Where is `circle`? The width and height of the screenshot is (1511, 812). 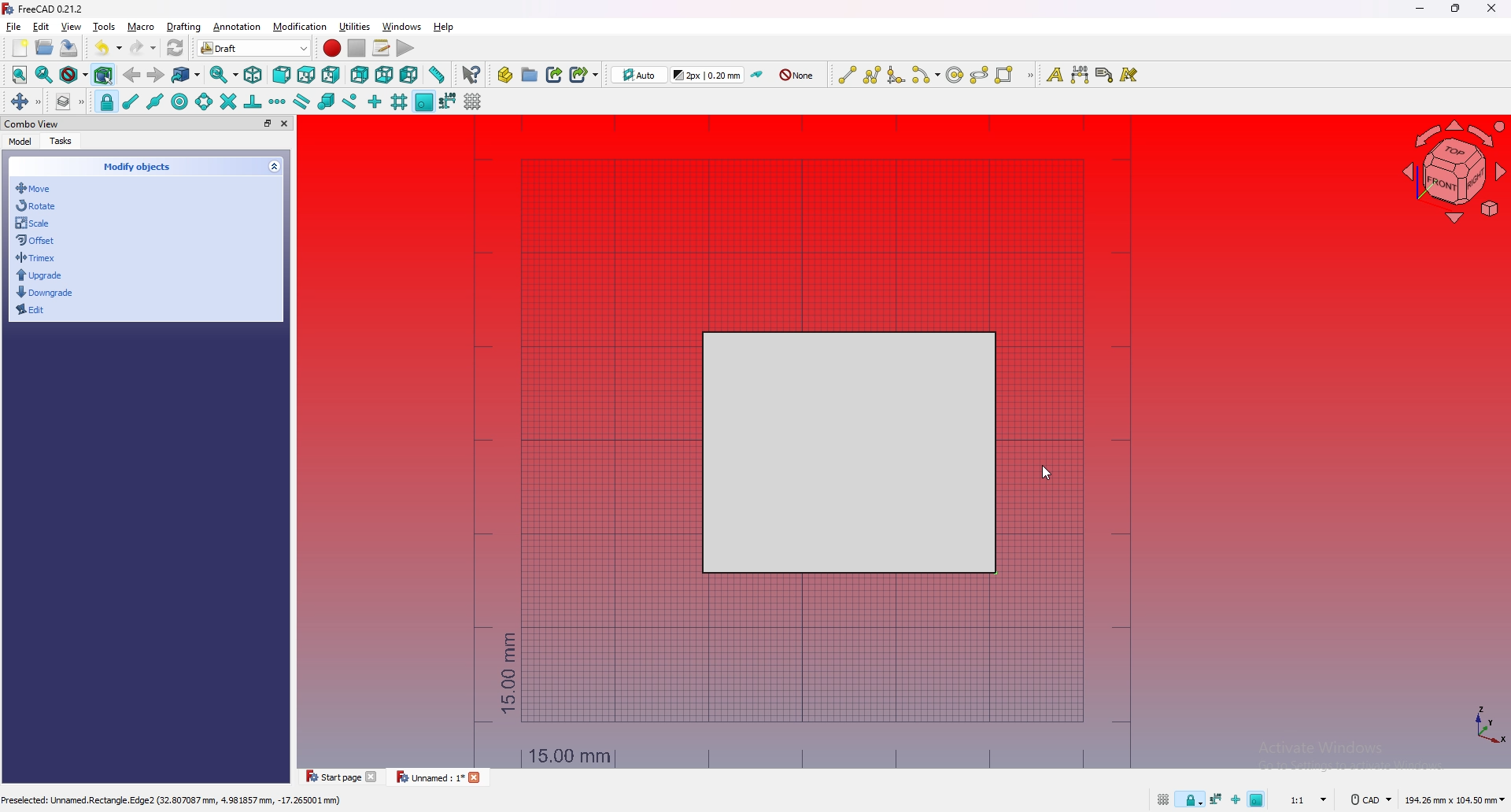
circle is located at coordinates (954, 74).